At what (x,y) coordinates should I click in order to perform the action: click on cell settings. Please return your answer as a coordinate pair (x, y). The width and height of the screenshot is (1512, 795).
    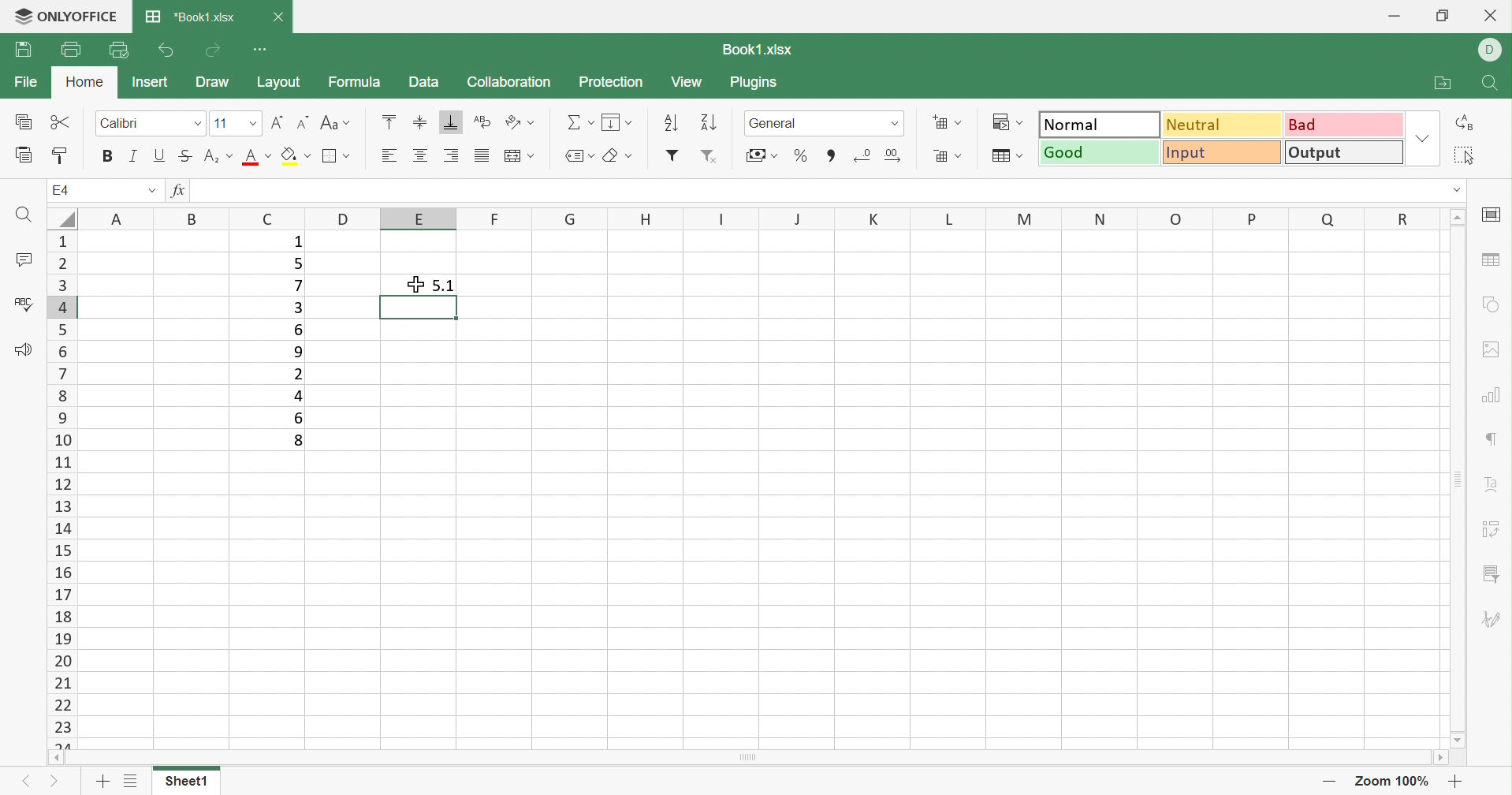
    Looking at the image, I should click on (1494, 215).